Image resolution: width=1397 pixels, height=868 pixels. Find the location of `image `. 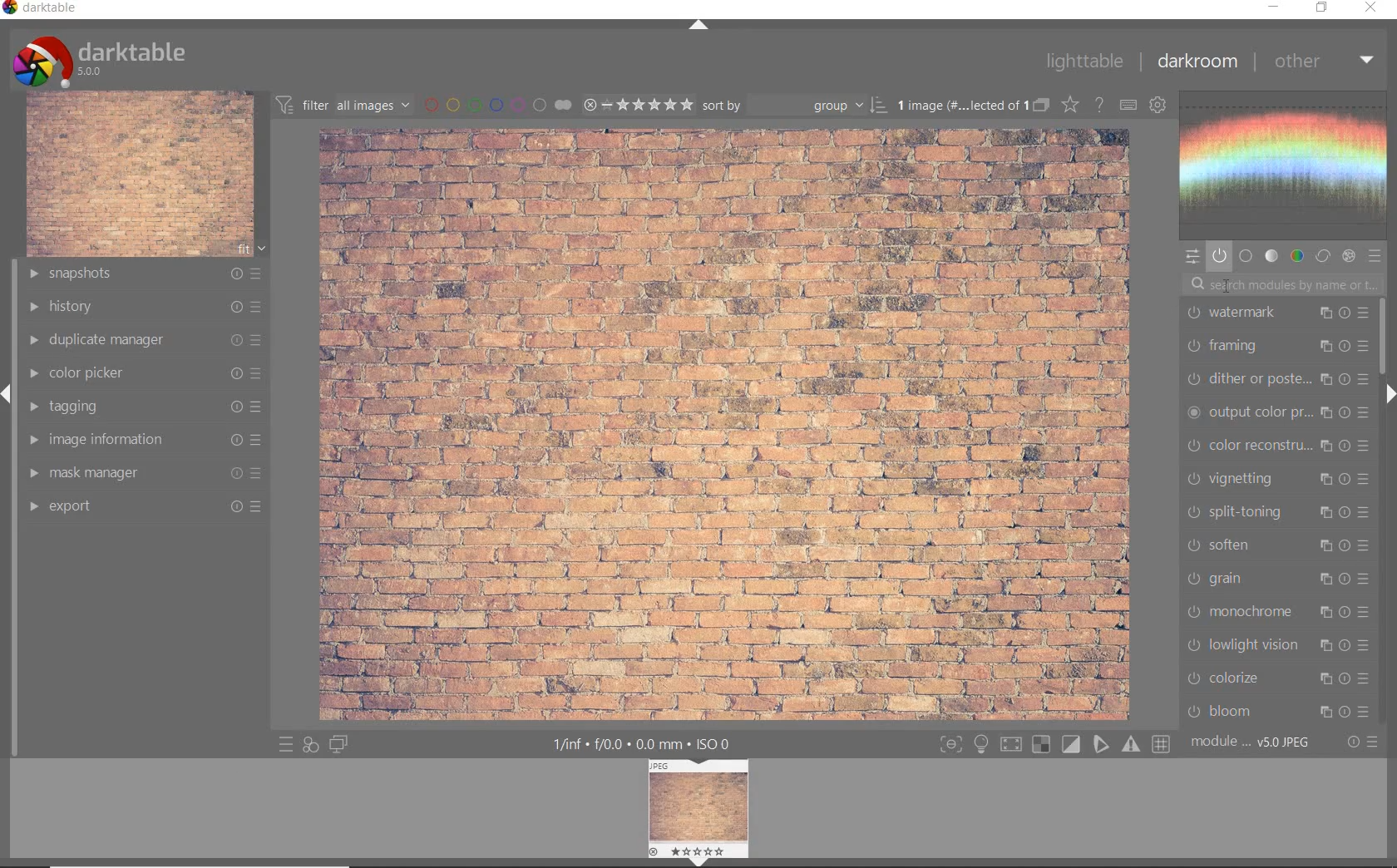

image  is located at coordinates (140, 175).